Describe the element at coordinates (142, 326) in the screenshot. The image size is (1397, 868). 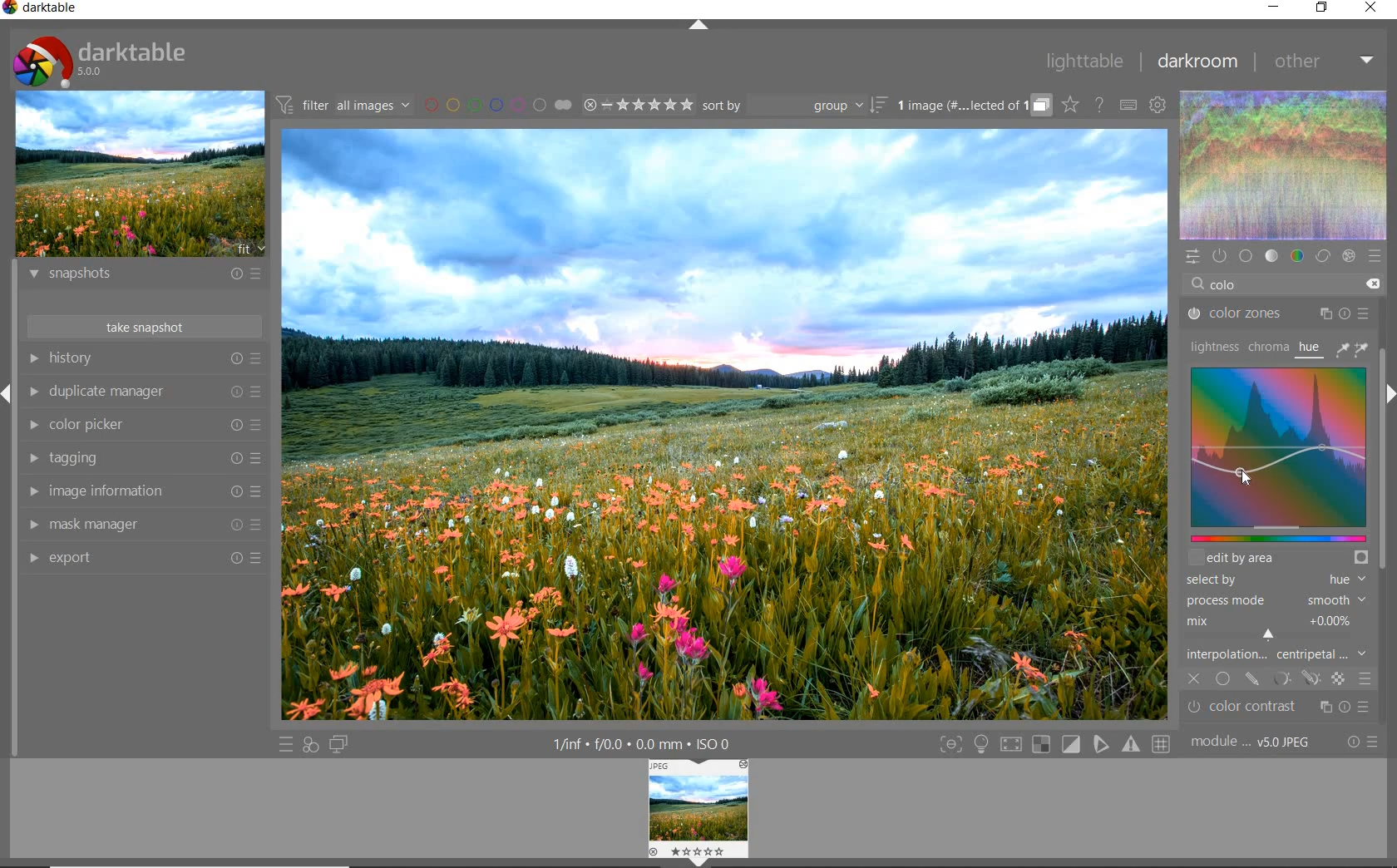
I see `take snapshots` at that location.